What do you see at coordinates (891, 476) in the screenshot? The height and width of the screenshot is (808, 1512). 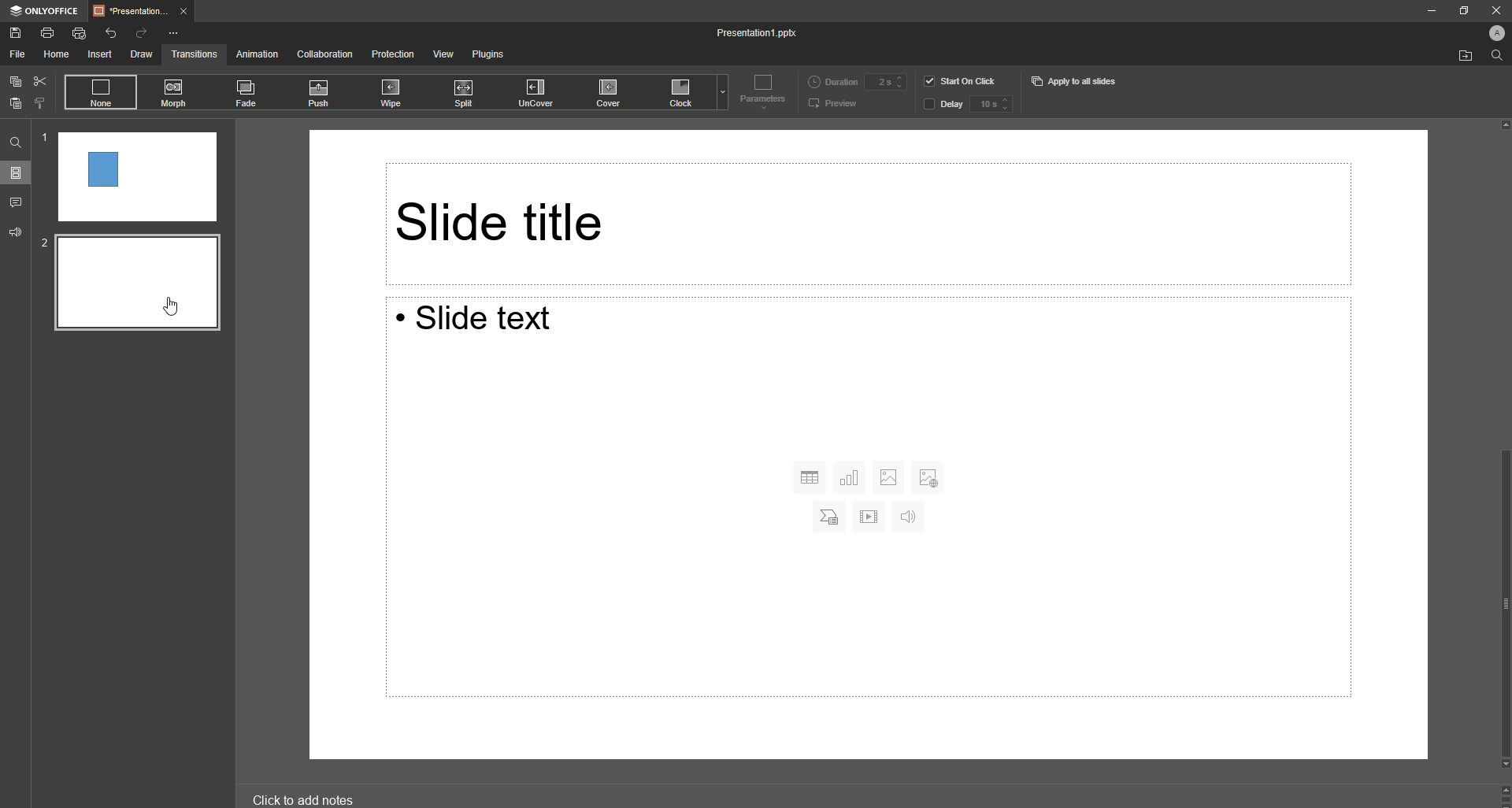 I see `Photo` at bounding box center [891, 476].